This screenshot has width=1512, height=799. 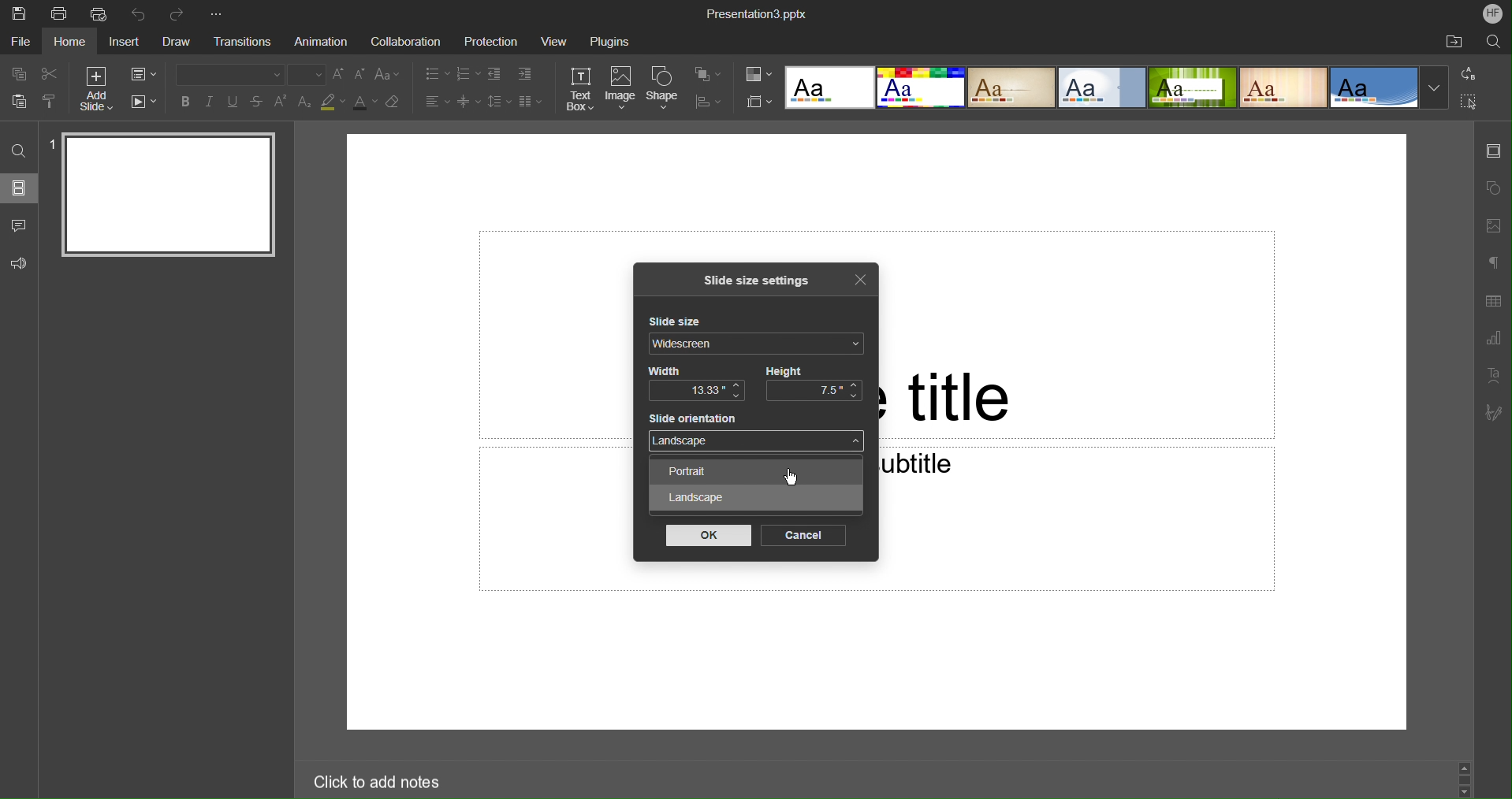 What do you see at coordinates (493, 43) in the screenshot?
I see `Protection` at bounding box center [493, 43].